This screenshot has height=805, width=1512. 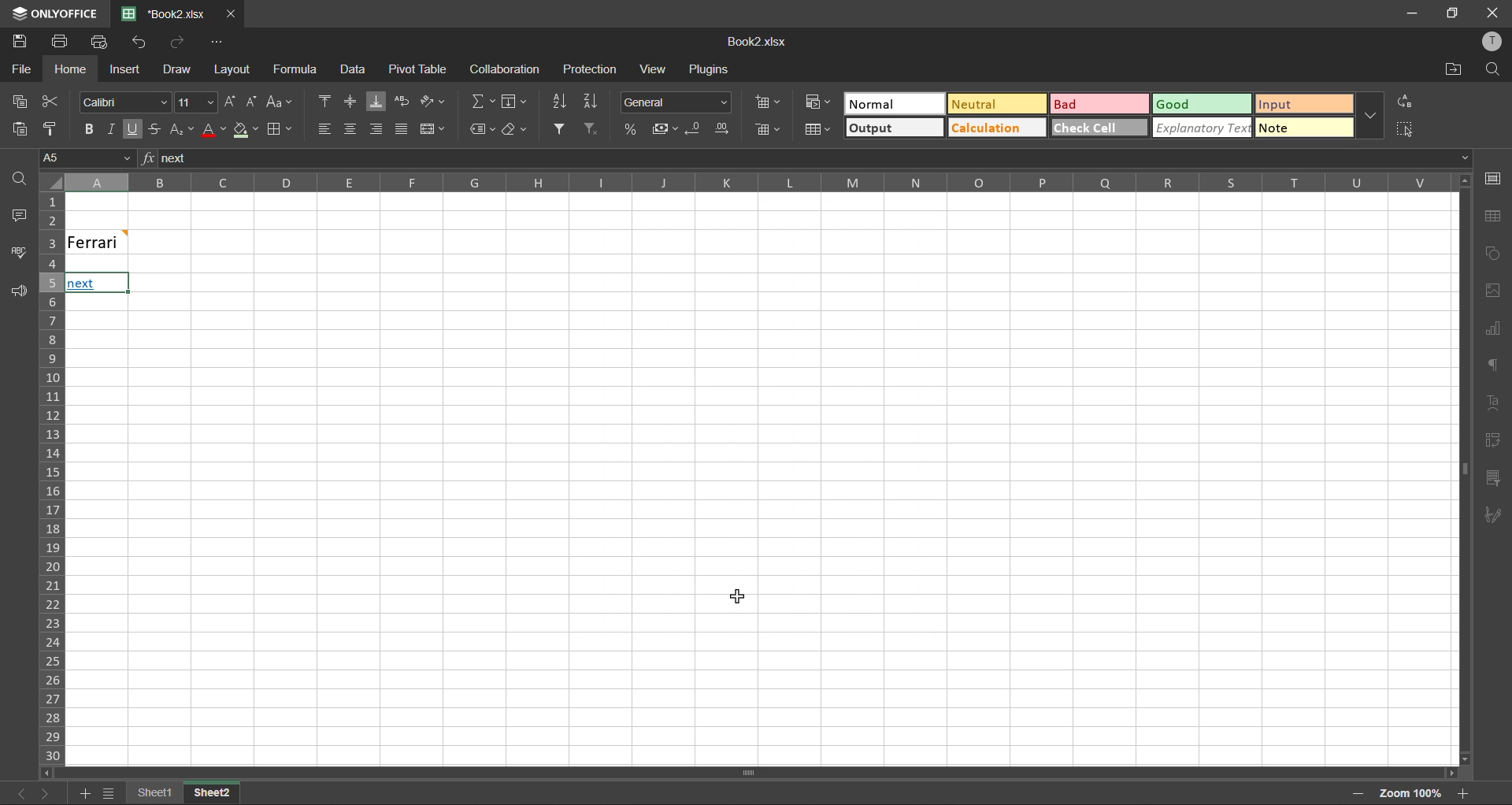 What do you see at coordinates (1299, 103) in the screenshot?
I see `input` at bounding box center [1299, 103].